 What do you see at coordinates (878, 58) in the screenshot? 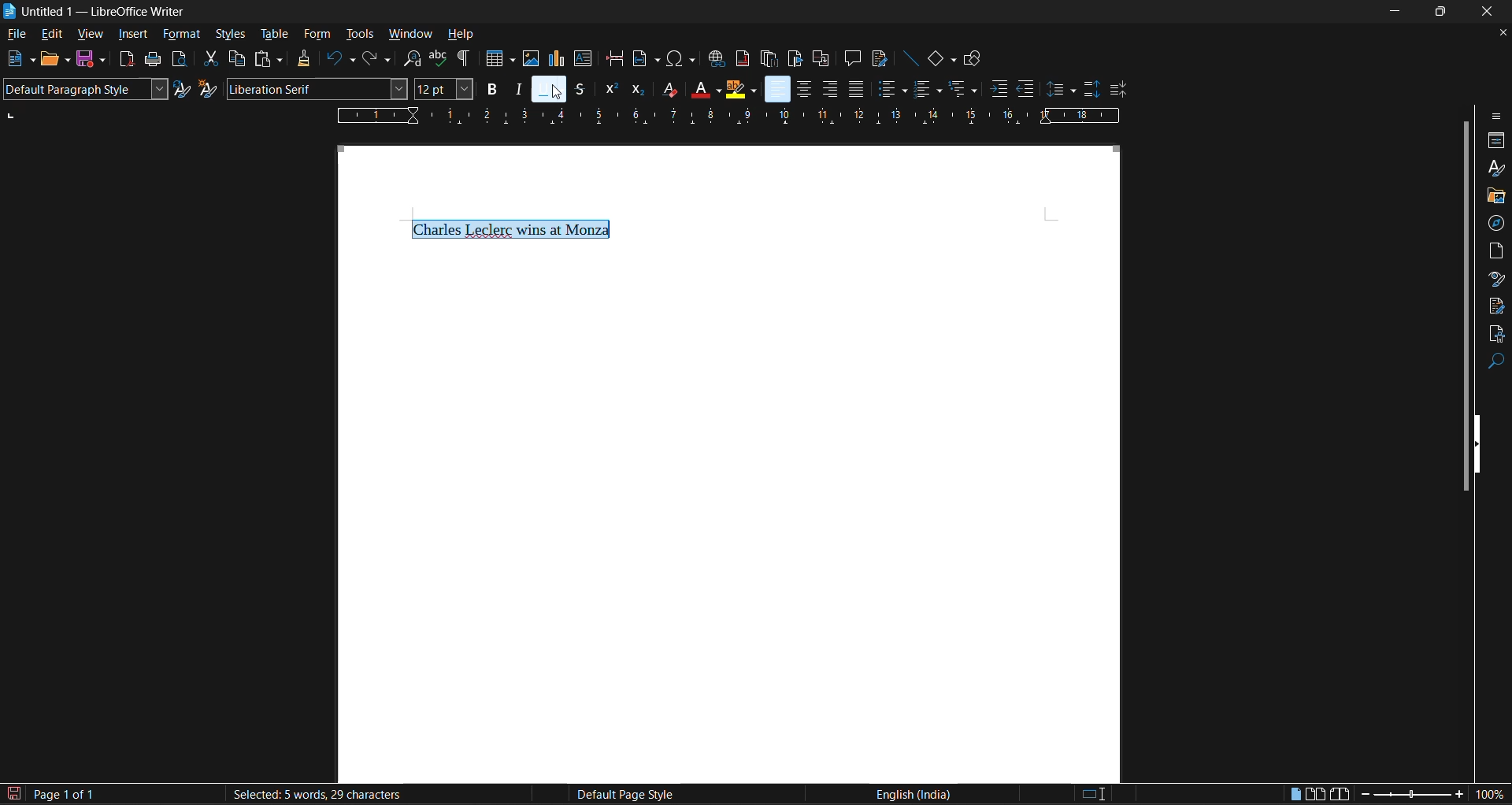
I see `show track change functions` at bounding box center [878, 58].